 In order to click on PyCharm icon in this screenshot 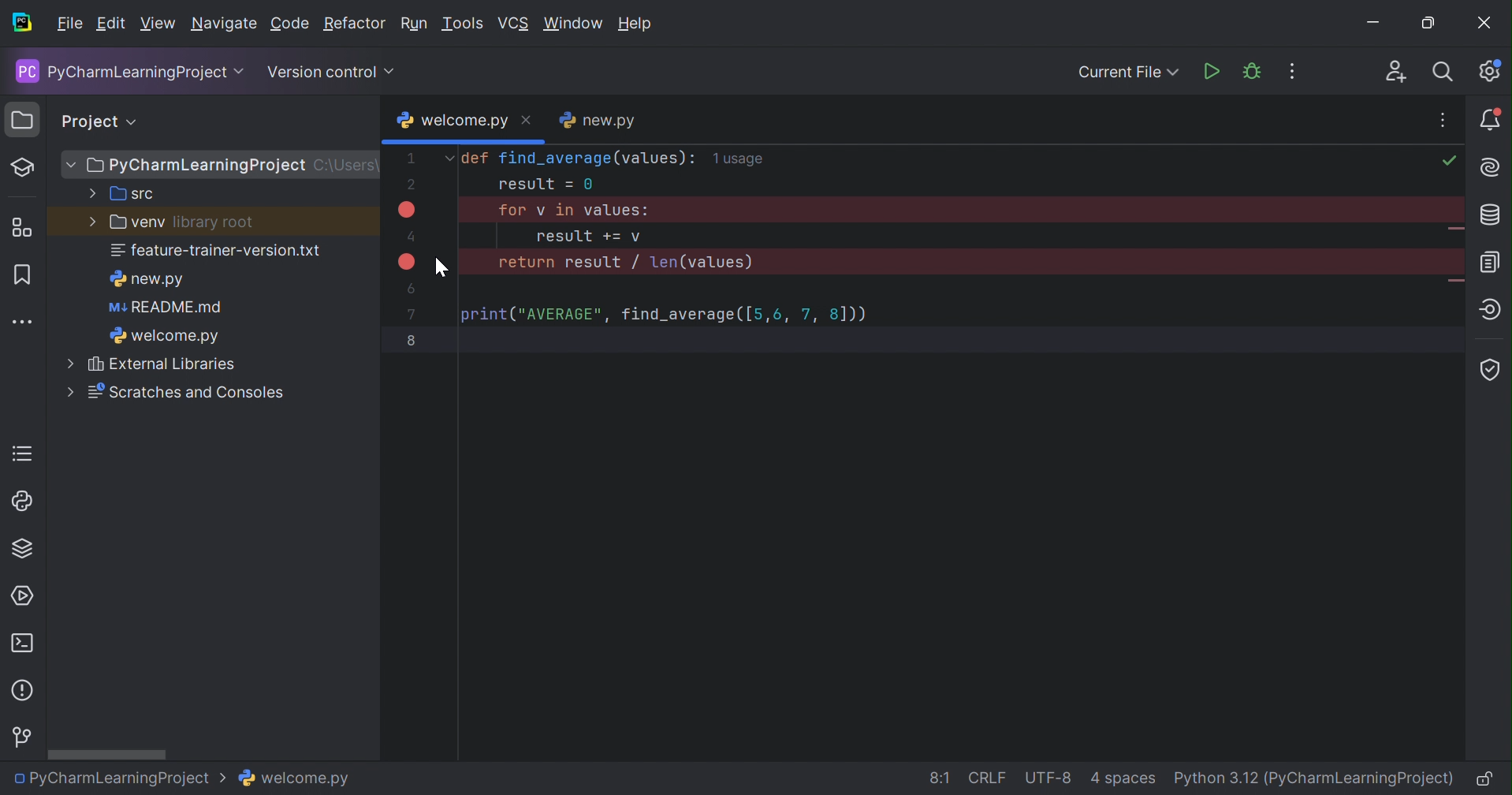, I will do `click(23, 24)`.